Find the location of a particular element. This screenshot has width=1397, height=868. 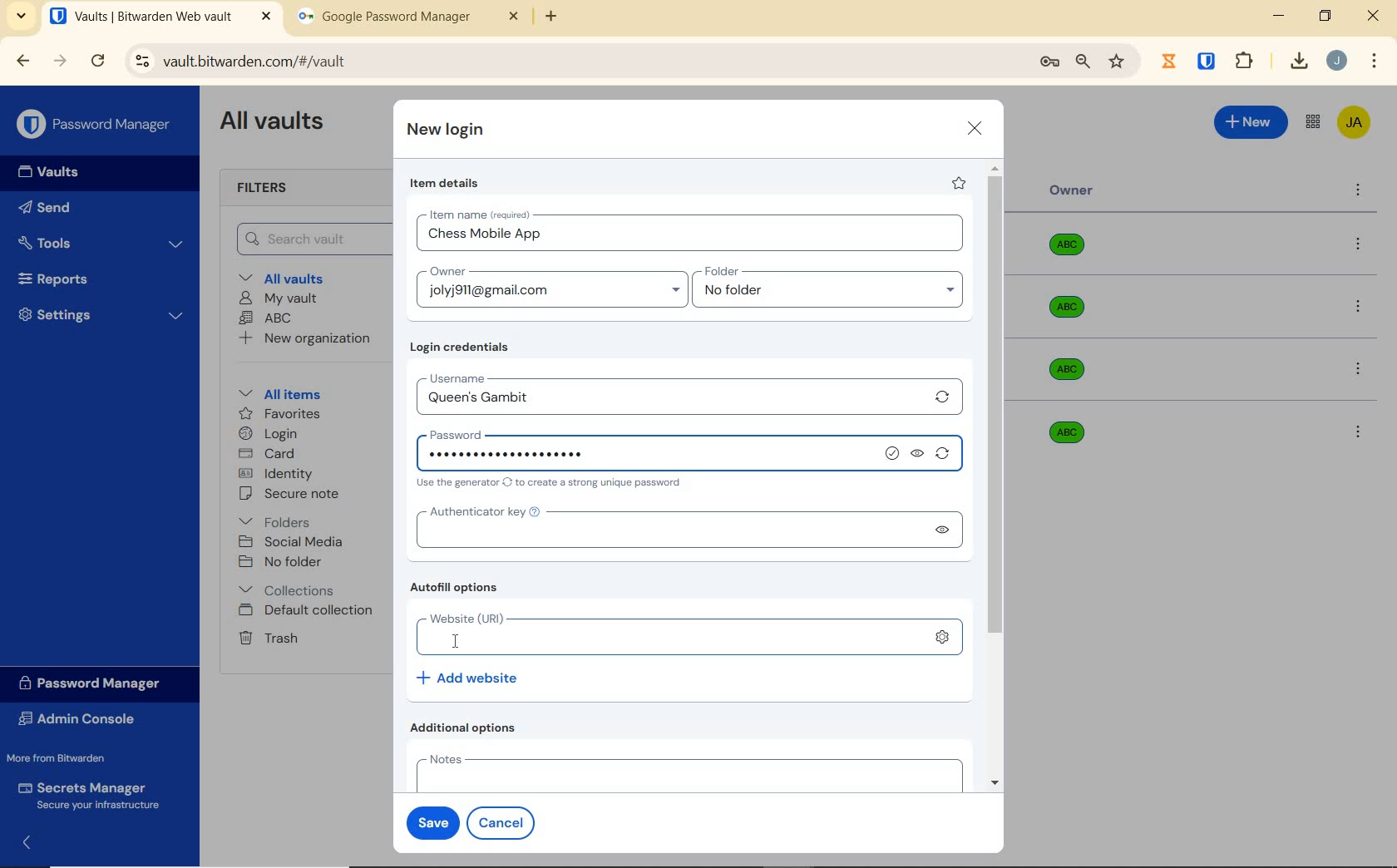

Owner organization is located at coordinates (1070, 315).